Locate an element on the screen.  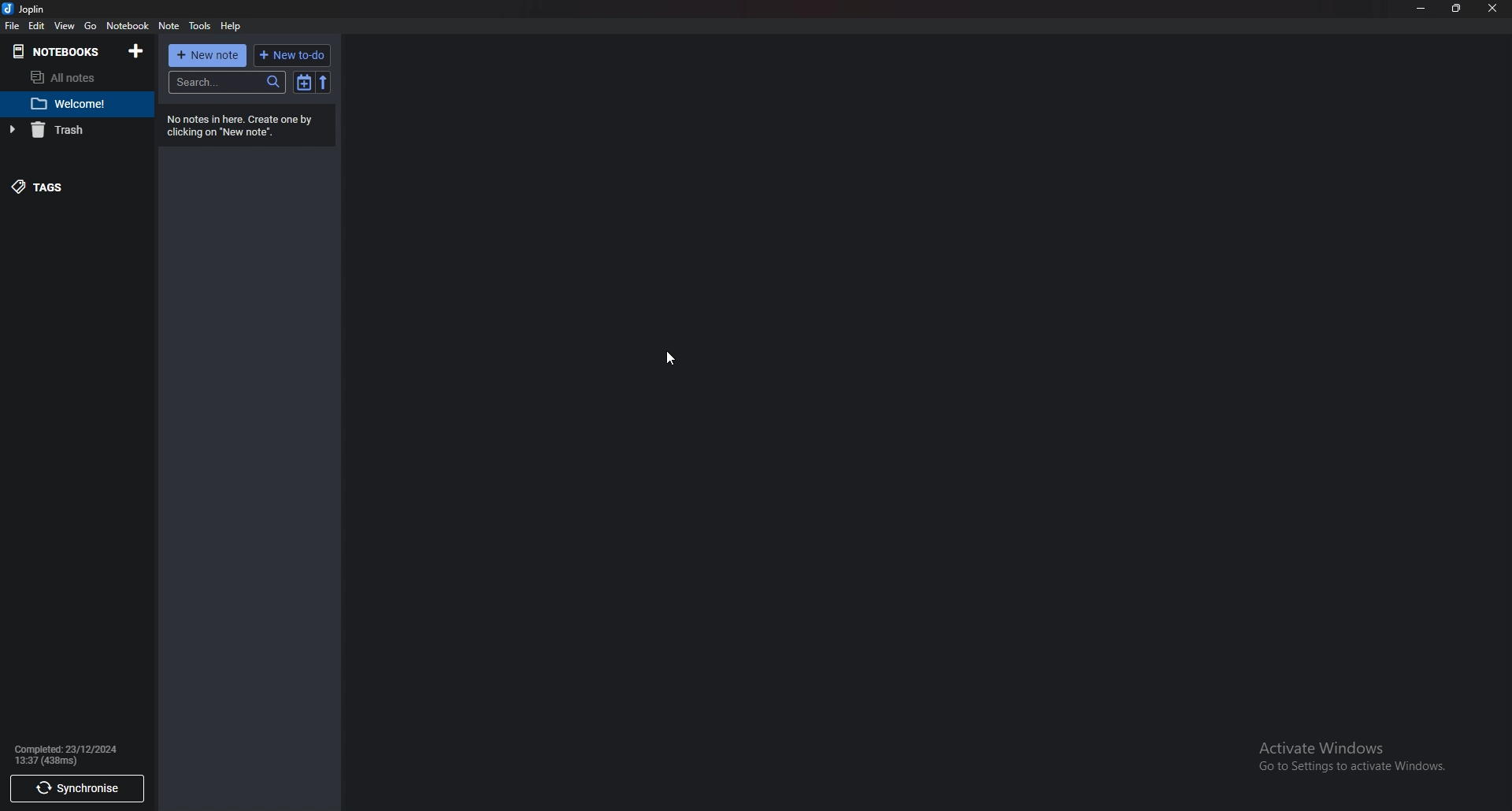
view is located at coordinates (65, 25).